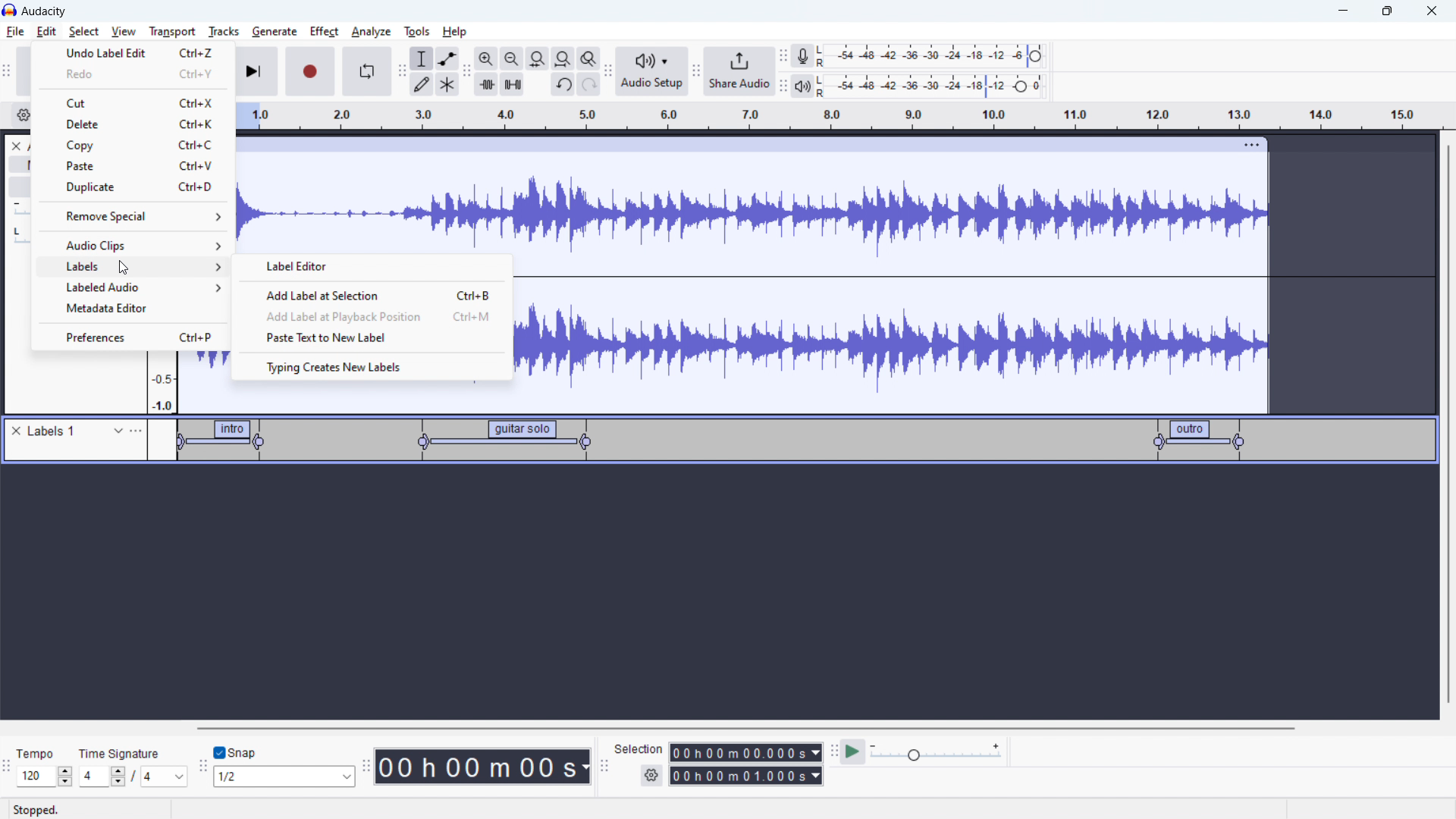 This screenshot has width=1456, height=819. What do you see at coordinates (487, 83) in the screenshot?
I see `trim audio outside selection` at bounding box center [487, 83].